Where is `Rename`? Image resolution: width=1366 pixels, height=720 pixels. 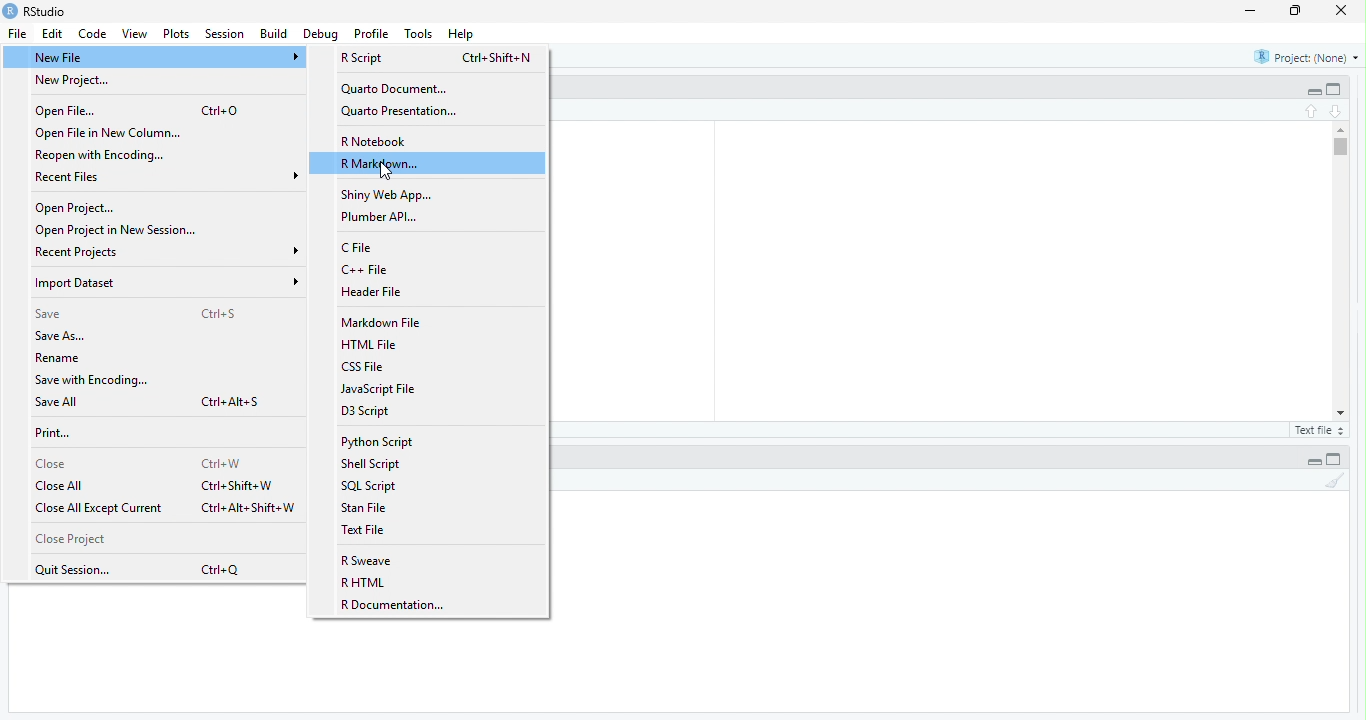 Rename is located at coordinates (60, 358).